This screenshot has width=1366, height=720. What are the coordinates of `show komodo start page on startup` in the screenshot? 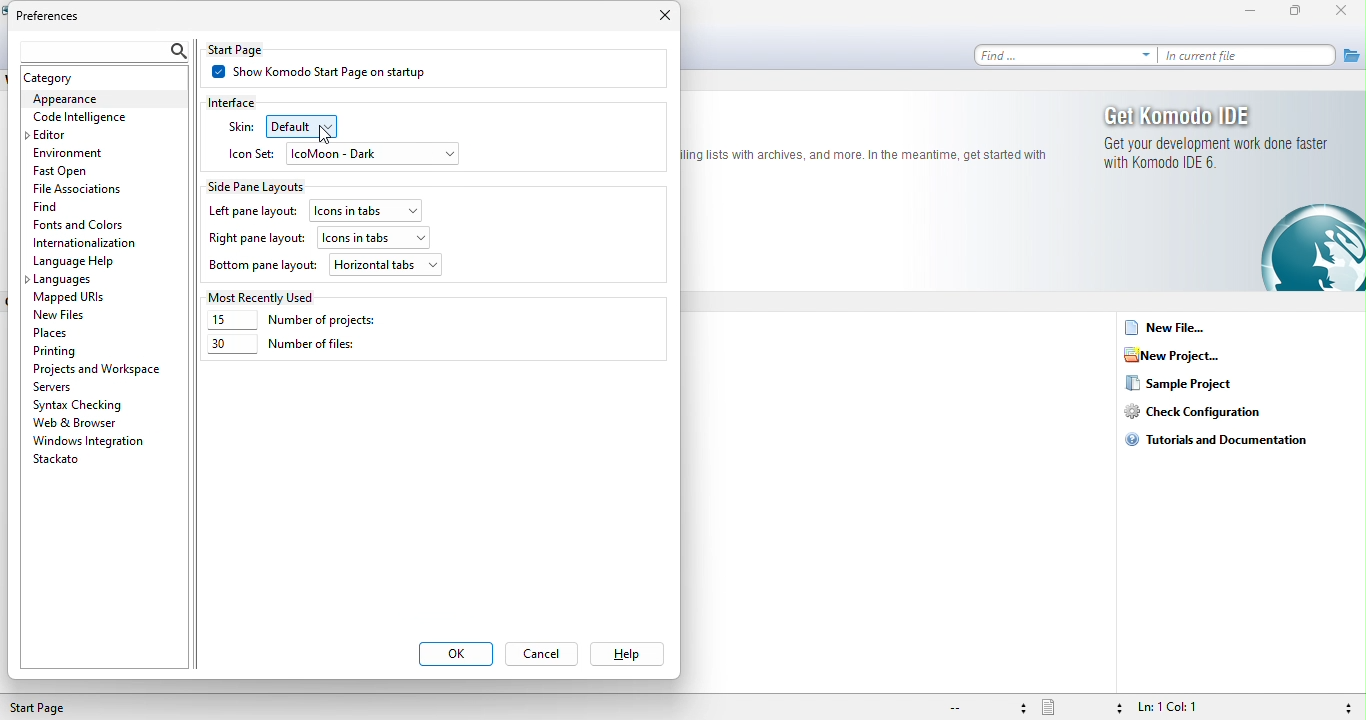 It's located at (333, 74).